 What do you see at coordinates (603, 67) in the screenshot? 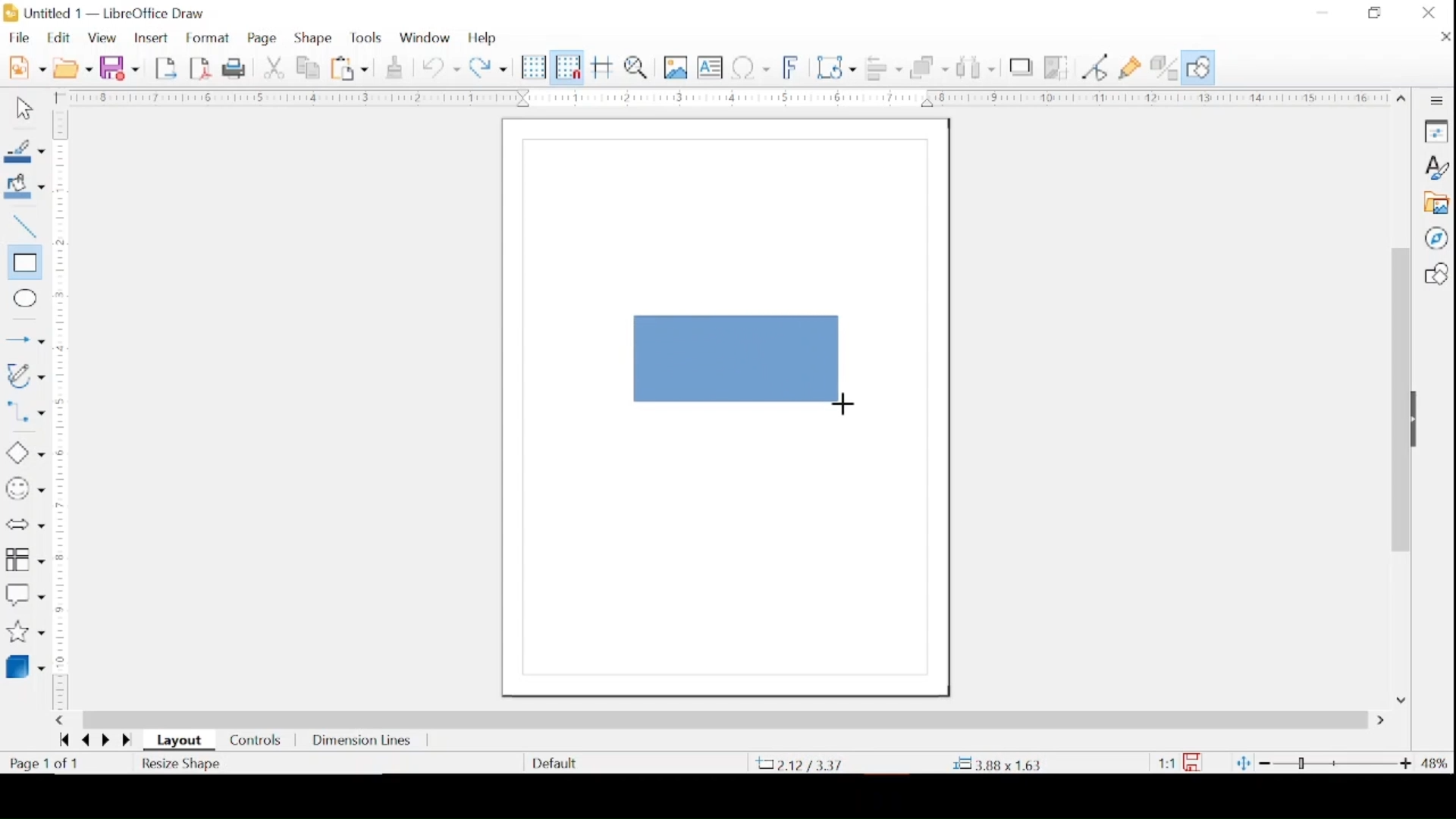
I see `show helplines while moving` at bounding box center [603, 67].